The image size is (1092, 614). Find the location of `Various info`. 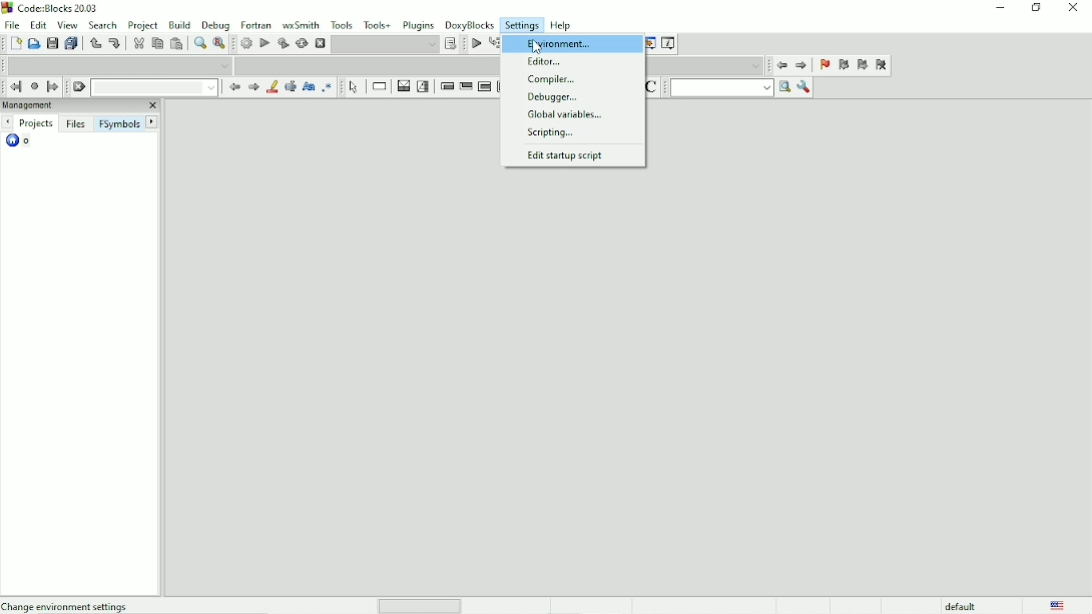

Various info is located at coordinates (669, 42).